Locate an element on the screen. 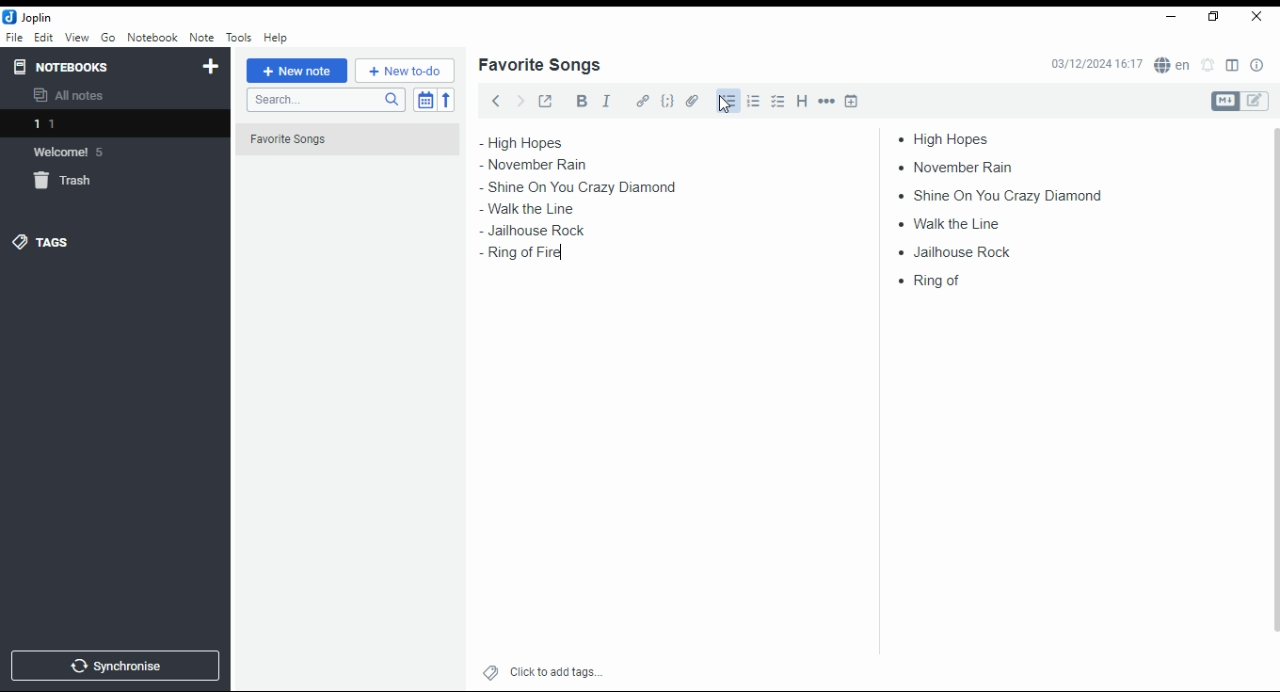  spell checker is located at coordinates (1174, 64).